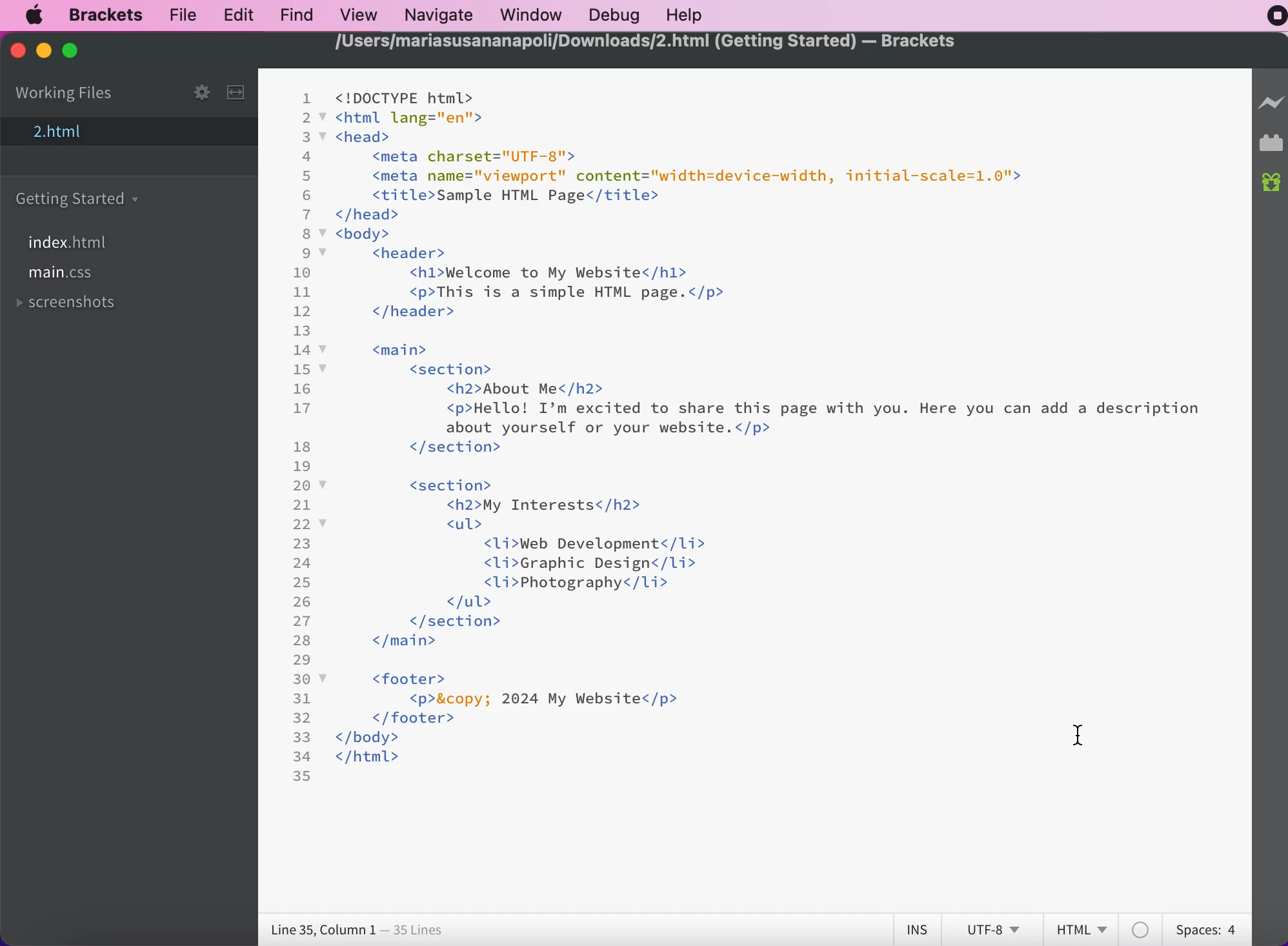 The image size is (1288, 946). Describe the element at coordinates (1204, 927) in the screenshot. I see `spaces:4` at that location.